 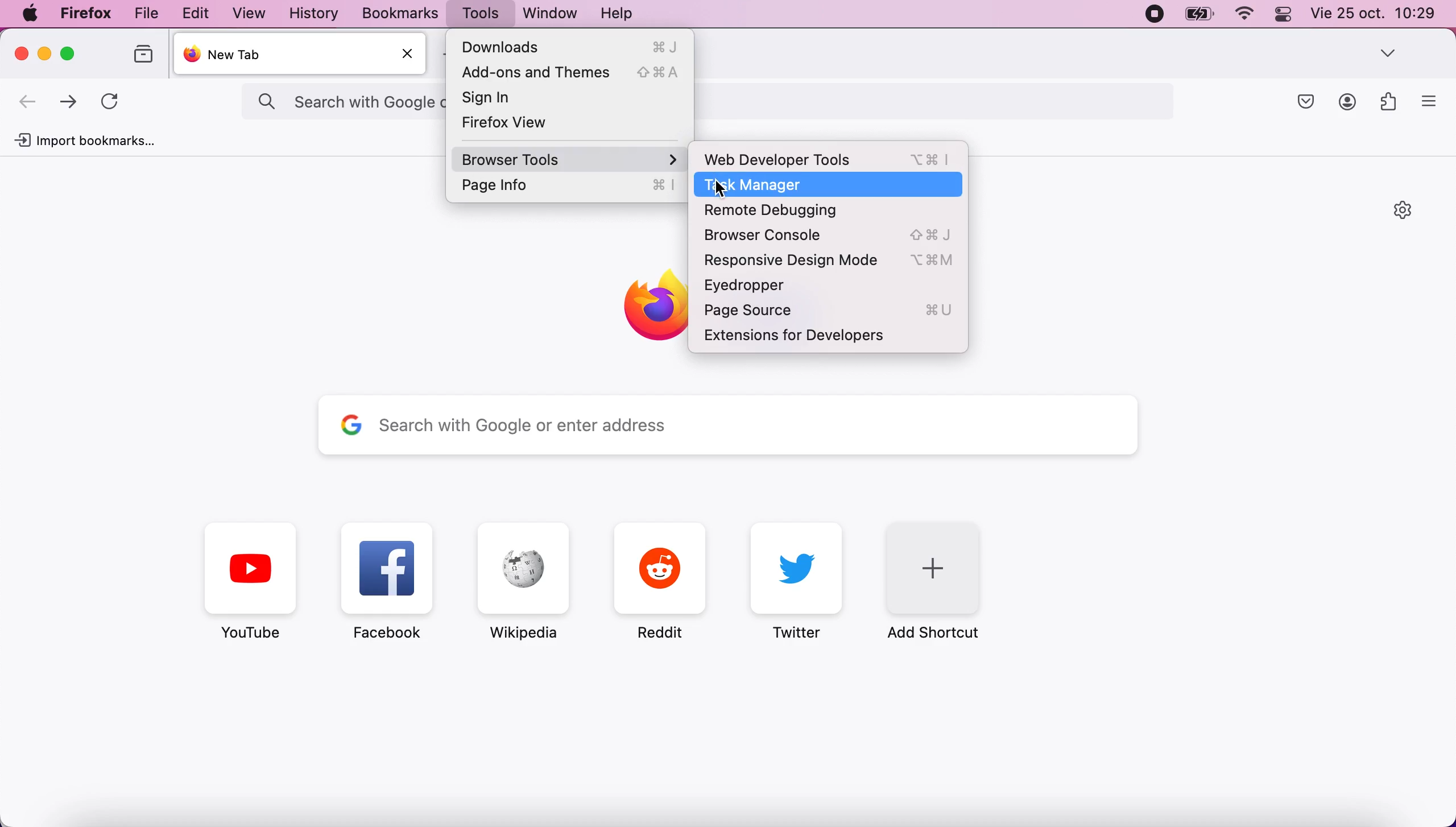 I want to click on Eyedropper, so click(x=832, y=286).